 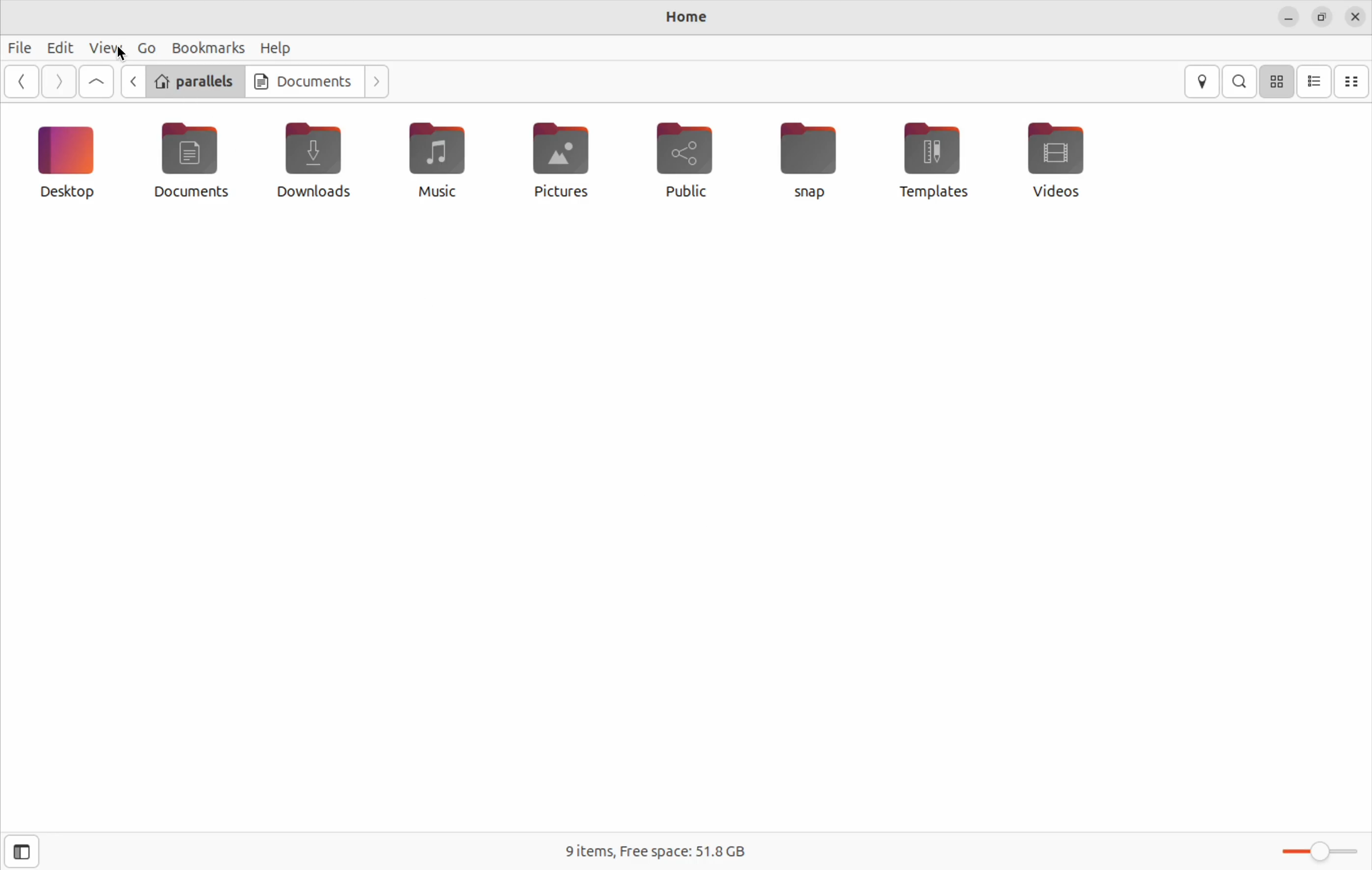 I want to click on public, so click(x=695, y=158).